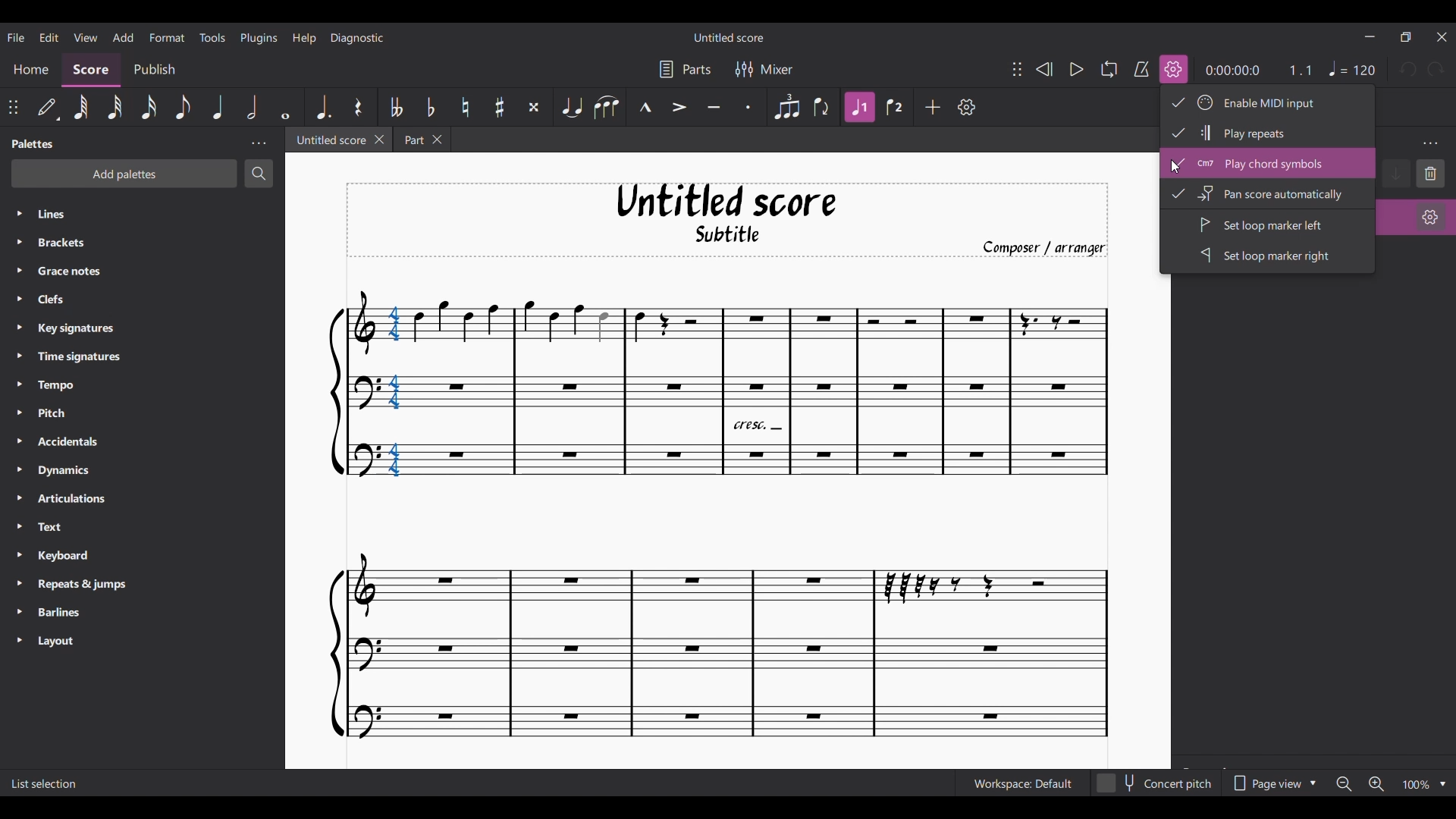 The height and width of the screenshot is (819, 1456). Describe the element at coordinates (1269, 224) in the screenshot. I see `Set loop marker left` at that location.